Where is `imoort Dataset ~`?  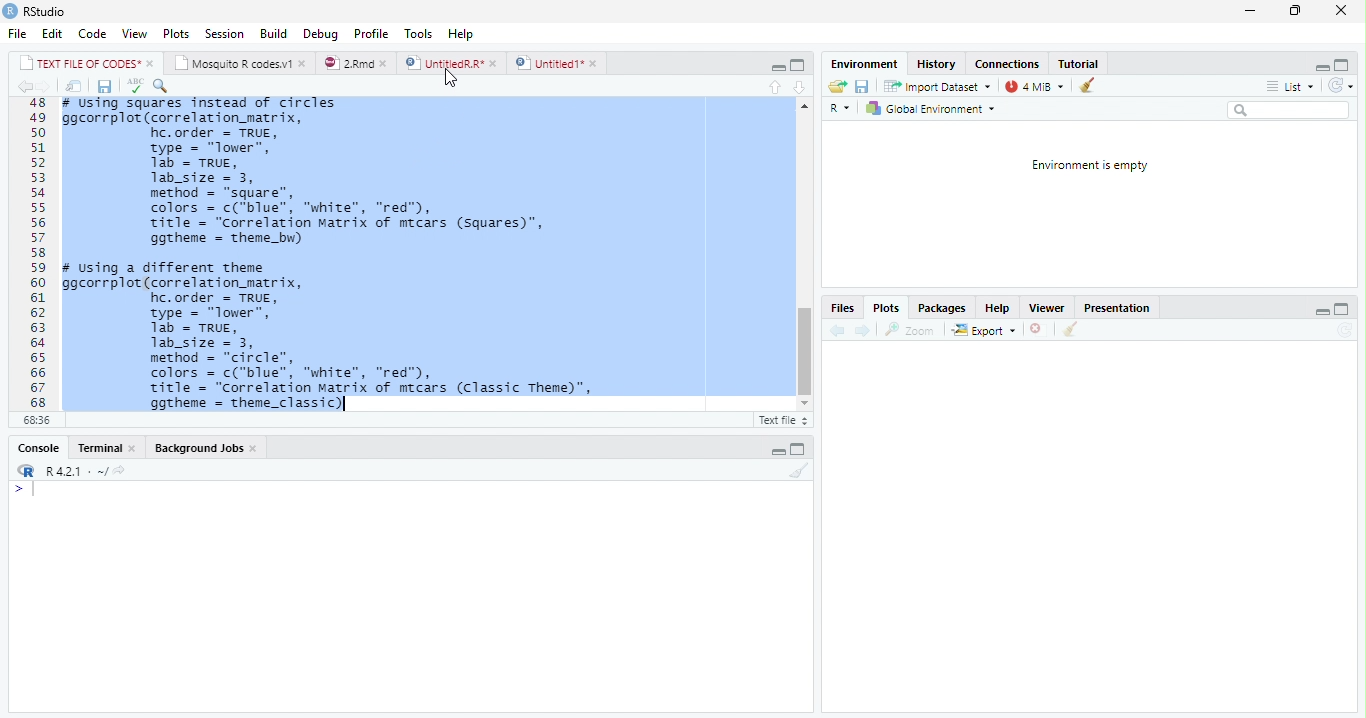
imoort Dataset ~ is located at coordinates (941, 87).